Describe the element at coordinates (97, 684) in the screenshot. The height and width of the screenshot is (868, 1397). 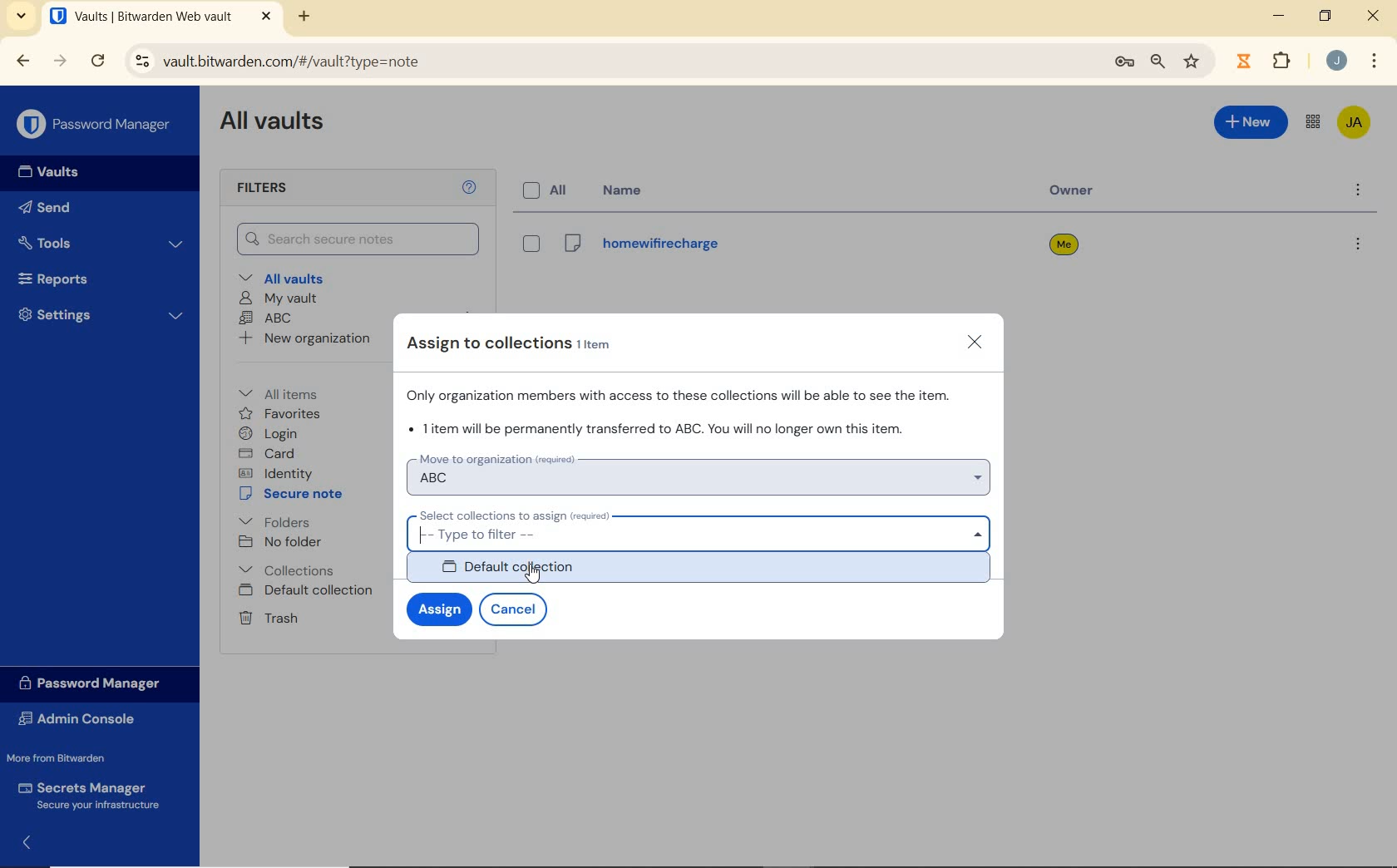
I see `Password Manager` at that location.